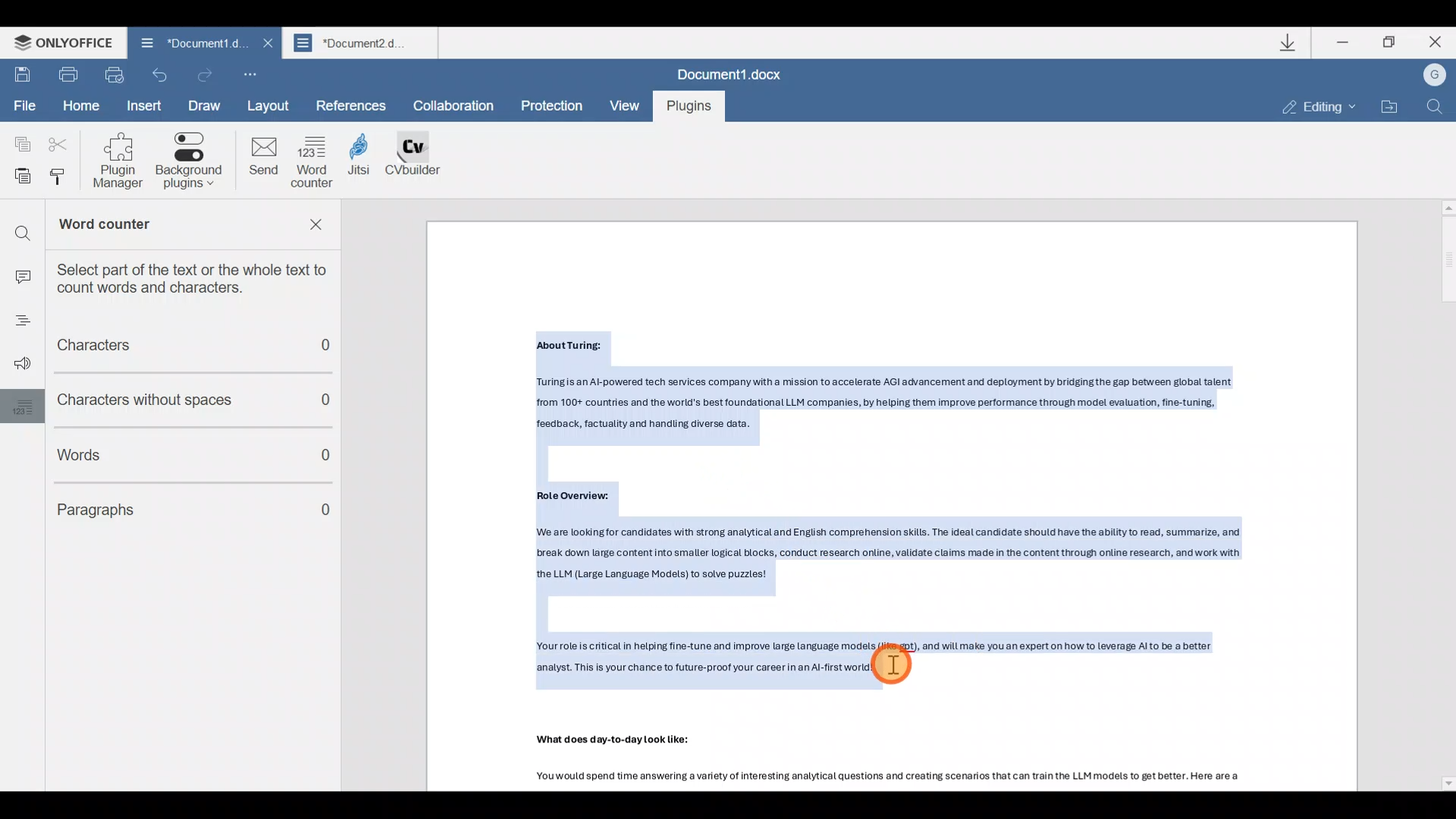 The width and height of the screenshot is (1456, 819). I want to click on 0, so click(335, 400).